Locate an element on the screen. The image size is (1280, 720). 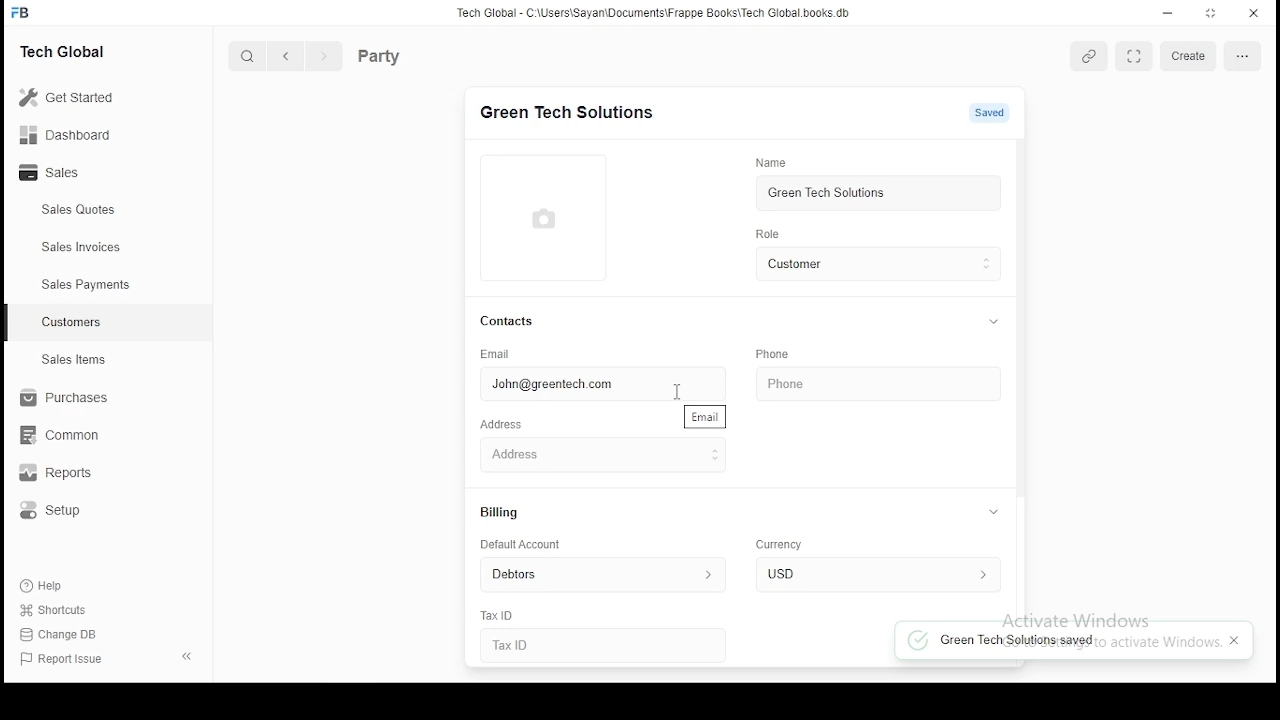
setup is located at coordinates (58, 513).